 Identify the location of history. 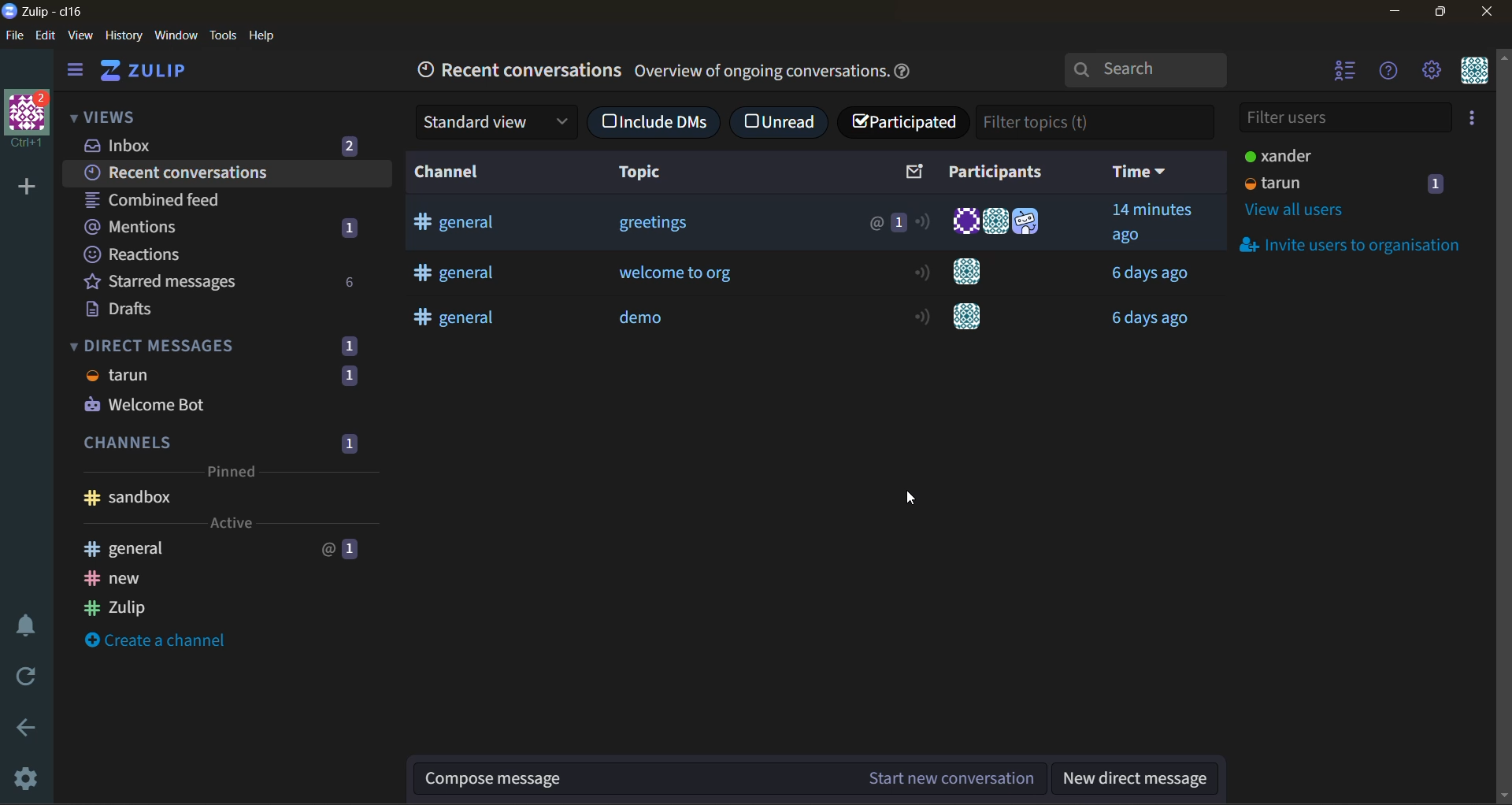
(124, 35).